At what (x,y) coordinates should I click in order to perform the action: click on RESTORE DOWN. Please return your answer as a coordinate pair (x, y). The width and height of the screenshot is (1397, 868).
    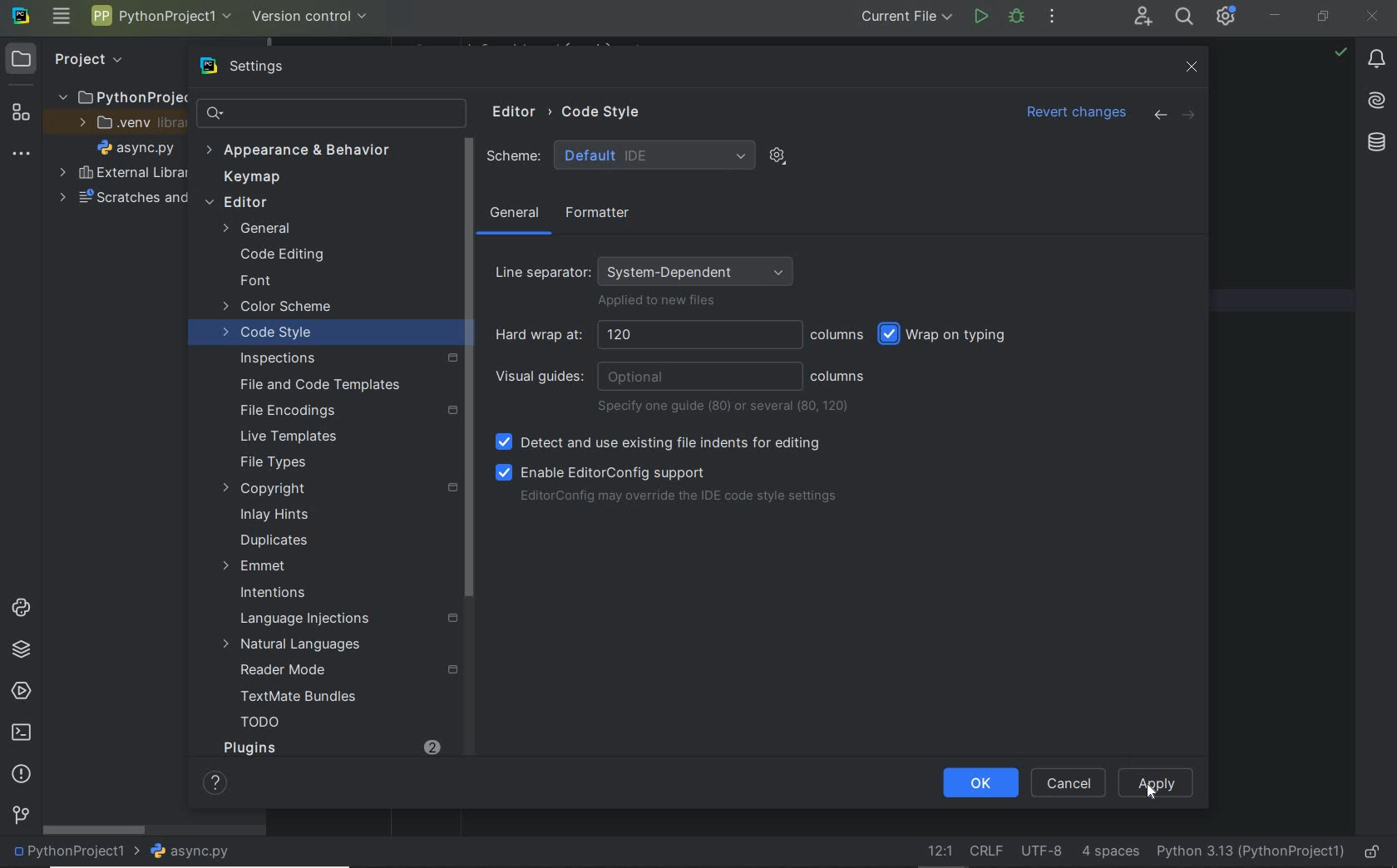
    Looking at the image, I should click on (1323, 18).